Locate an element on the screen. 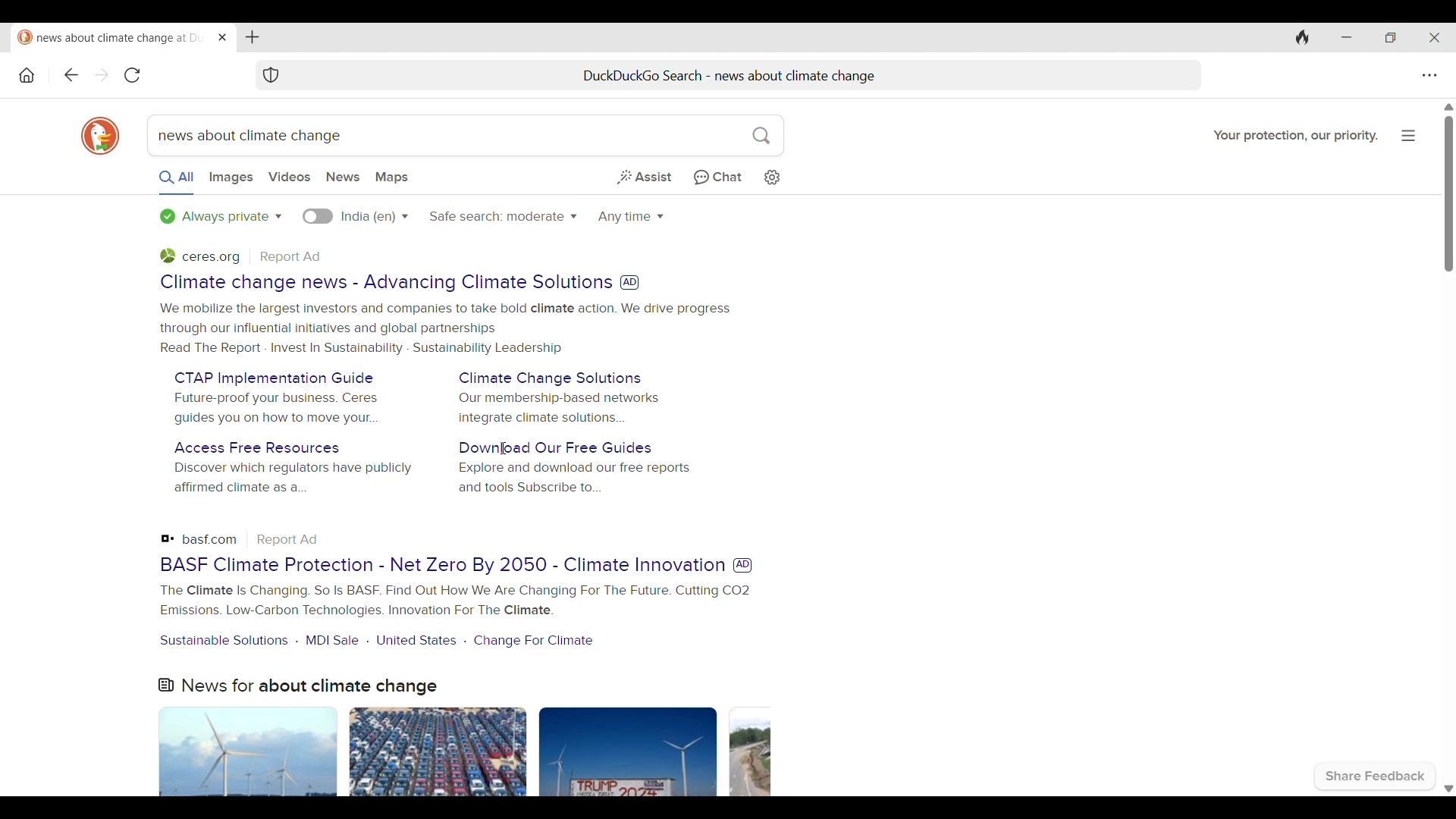  Ctap implementation guide  is located at coordinates (274, 378).